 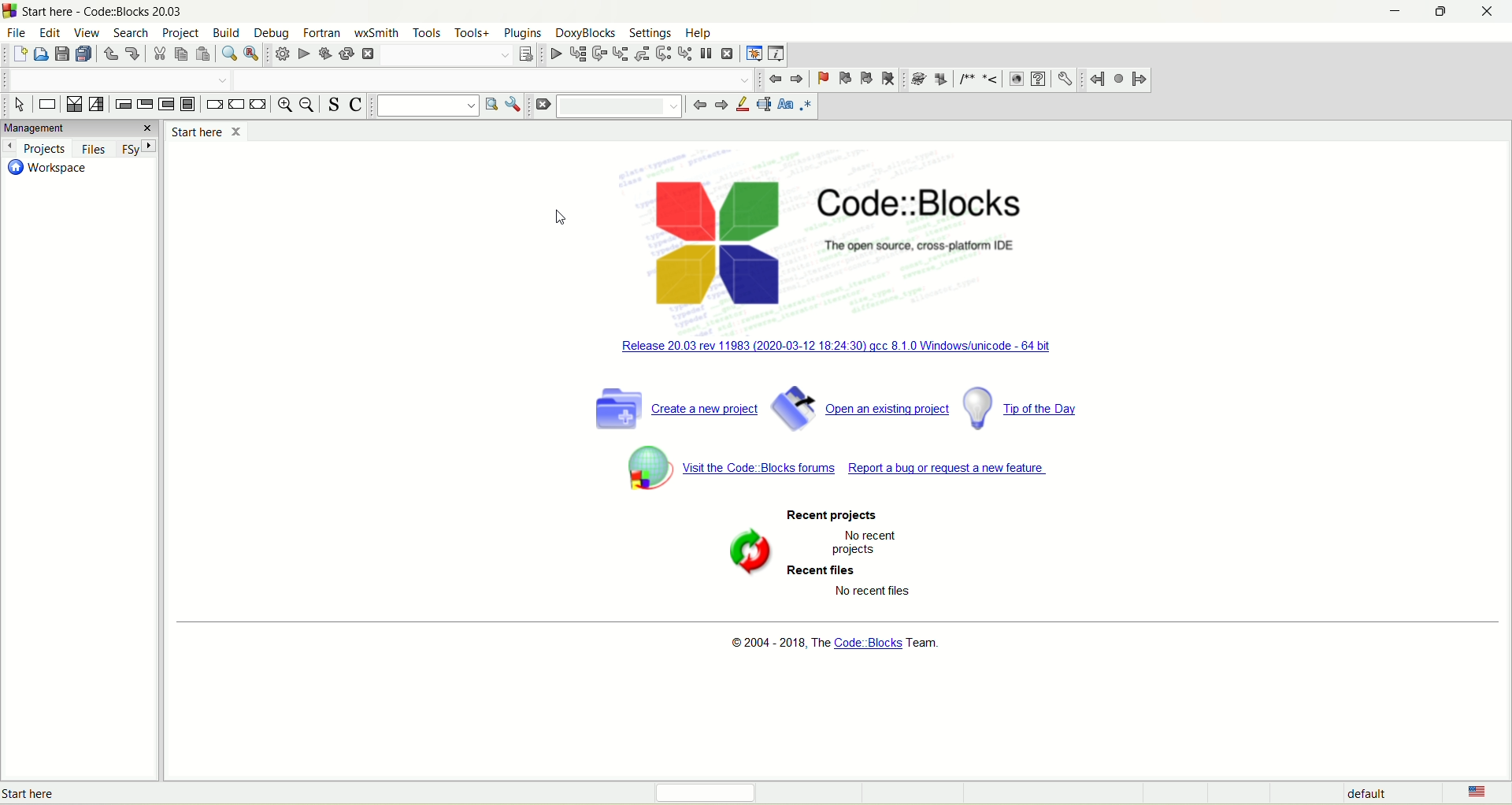 What do you see at coordinates (1488, 792) in the screenshot?
I see `language` at bounding box center [1488, 792].